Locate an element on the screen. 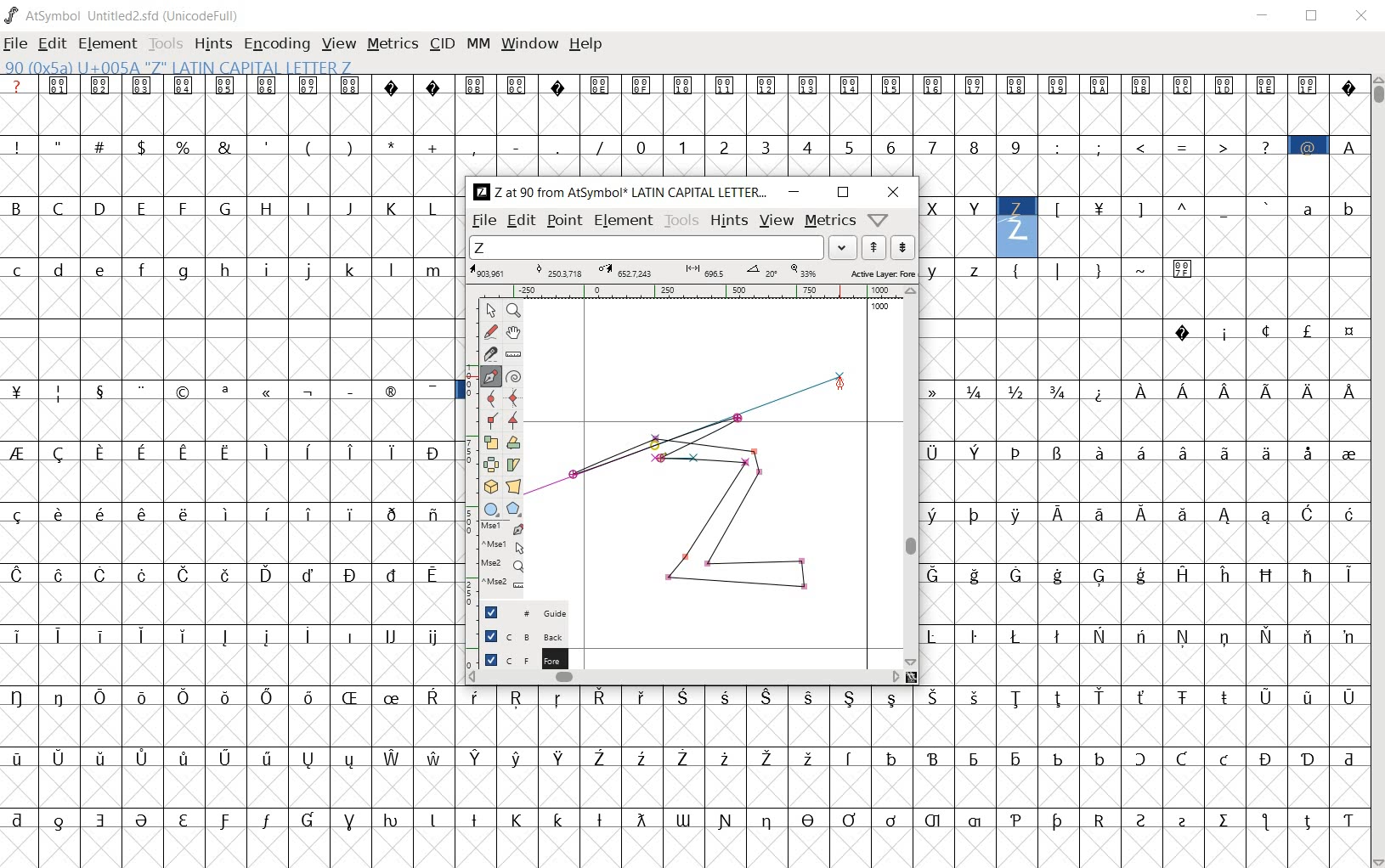 This screenshot has width=1385, height=868. hints is located at coordinates (728, 222).